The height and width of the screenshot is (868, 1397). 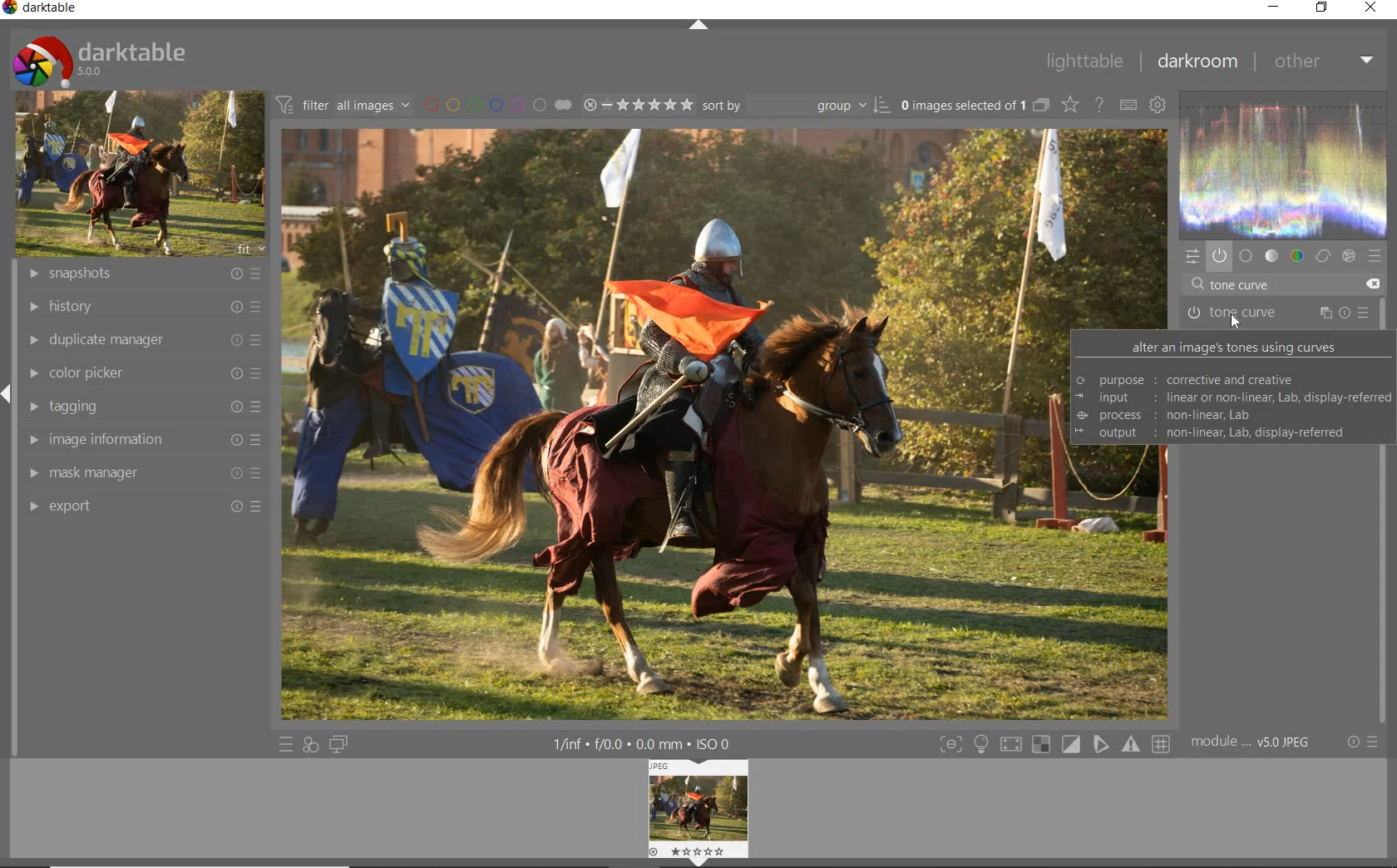 I want to click on show global preferences, so click(x=1157, y=106).